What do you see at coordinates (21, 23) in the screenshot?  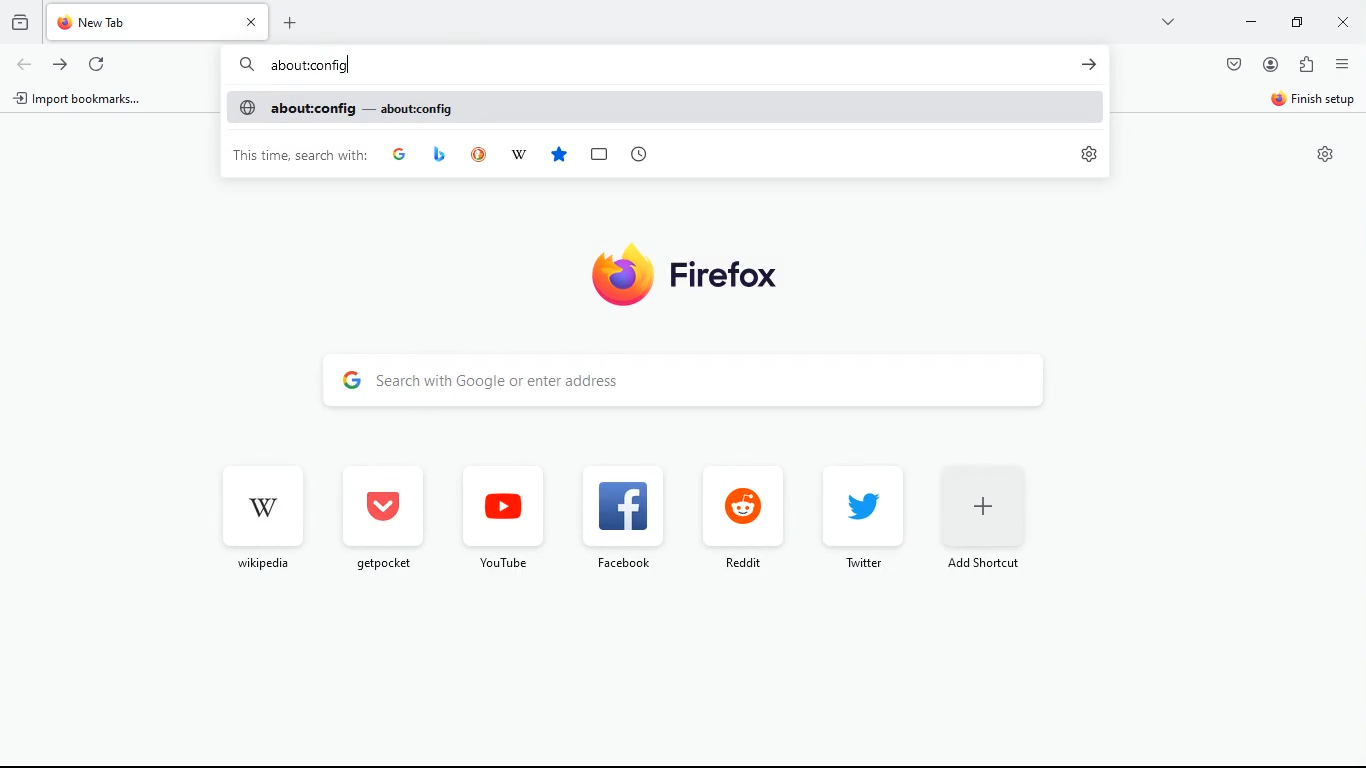 I see `history` at bounding box center [21, 23].